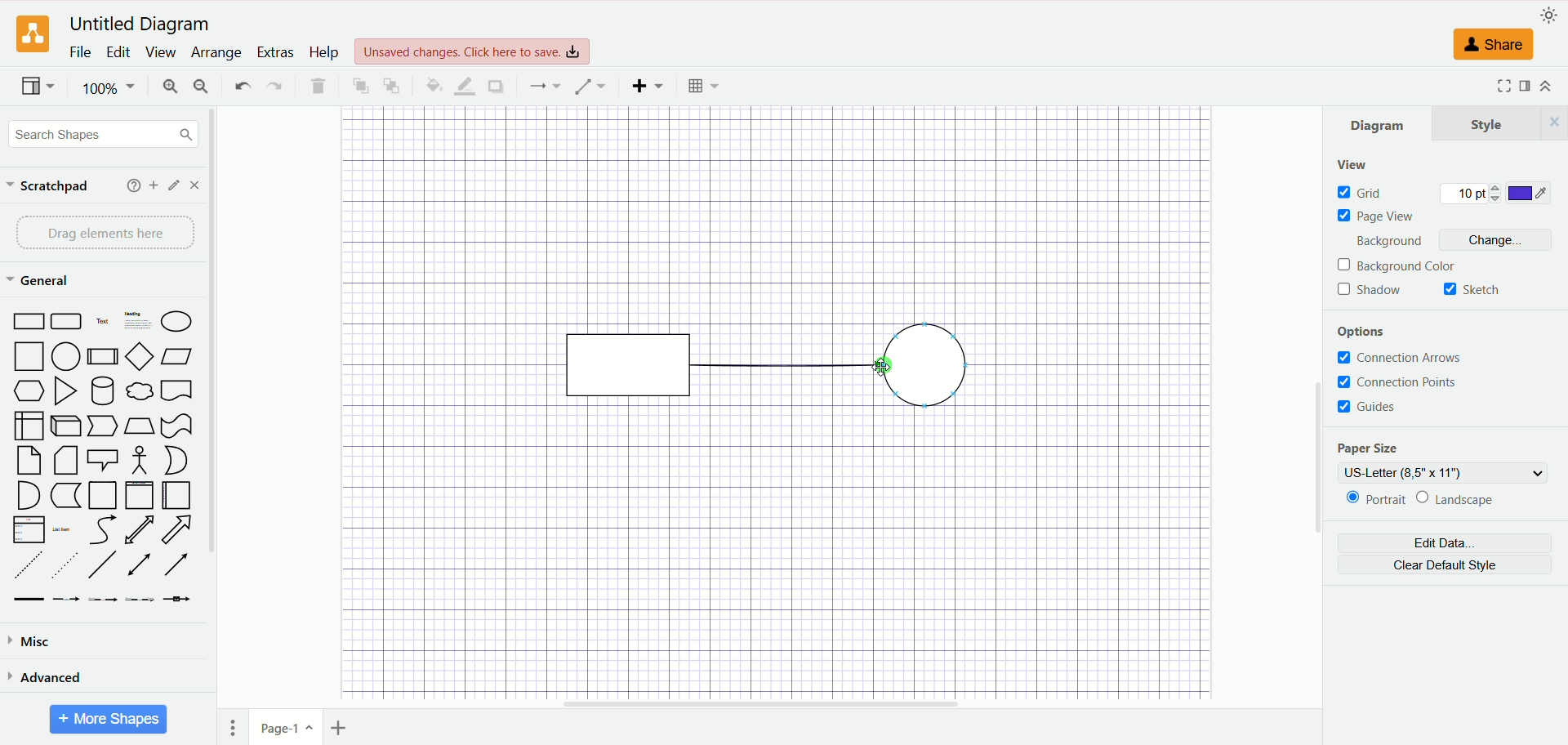 This screenshot has height=745, width=1568. I want to click on Two way Arrow, so click(141, 530).